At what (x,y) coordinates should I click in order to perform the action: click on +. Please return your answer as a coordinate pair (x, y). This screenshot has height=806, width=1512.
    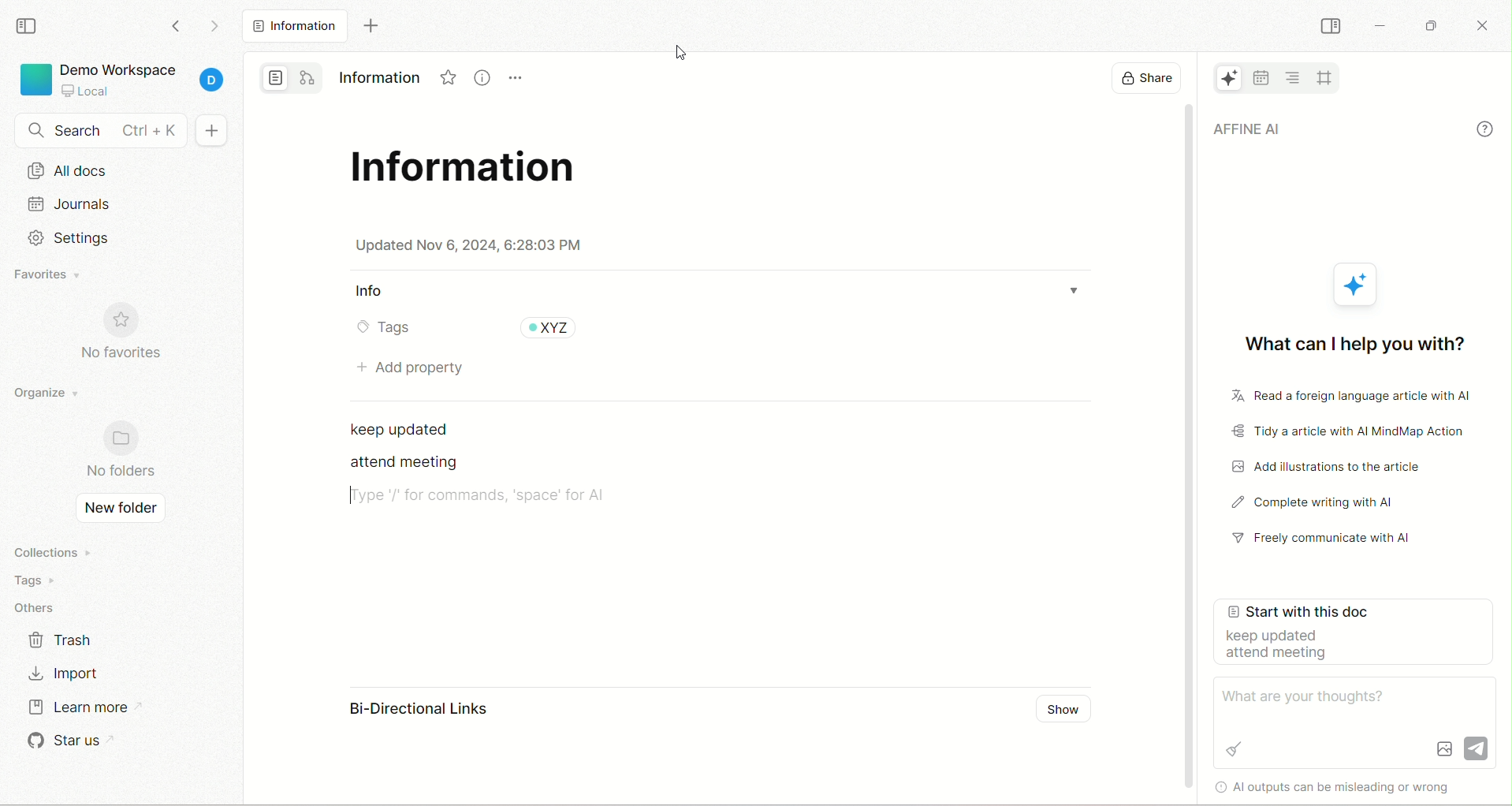
    Looking at the image, I should click on (217, 129).